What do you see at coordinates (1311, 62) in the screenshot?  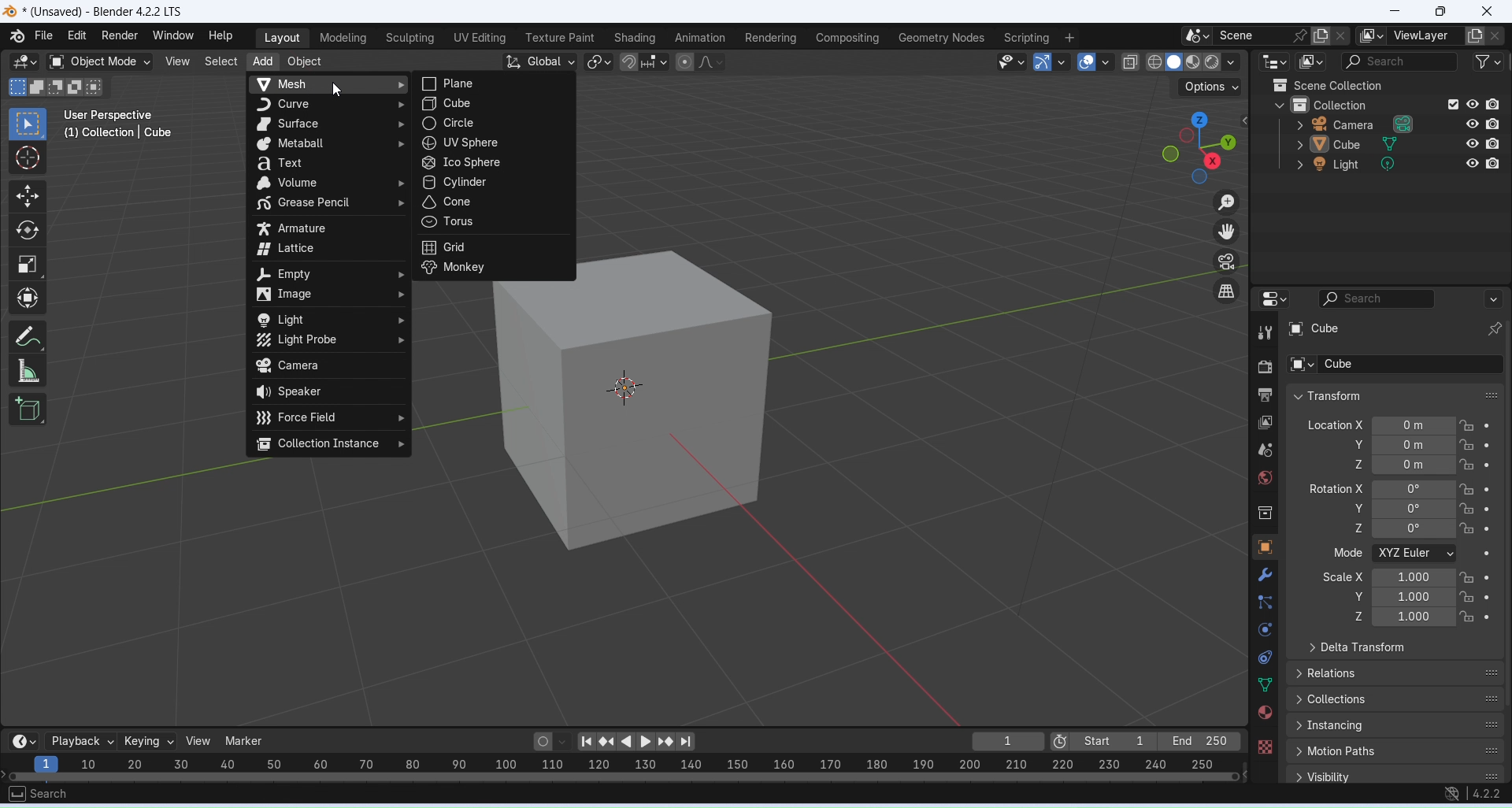 I see `Display mode` at bounding box center [1311, 62].